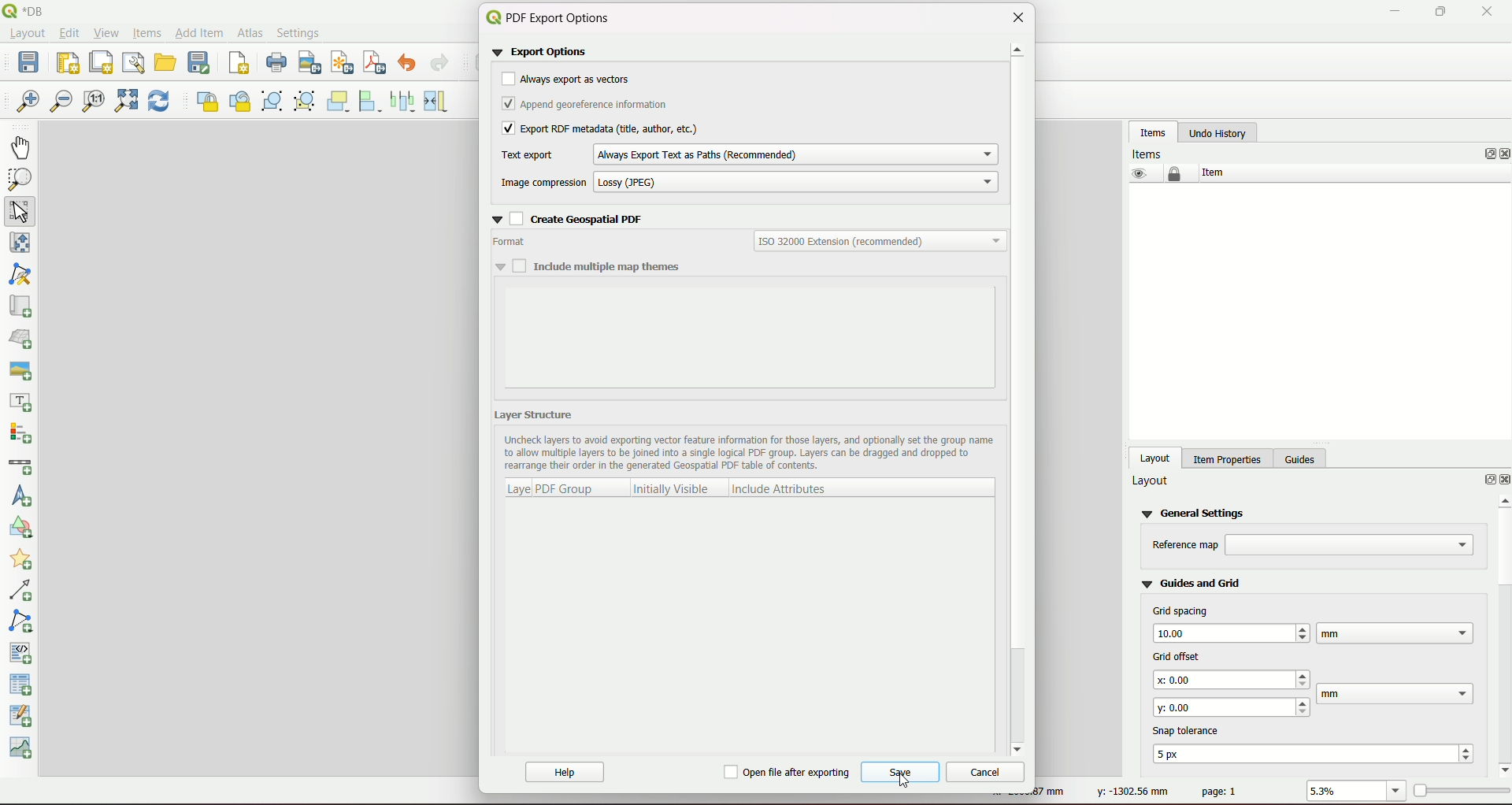 Image resolution: width=1512 pixels, height=805 pixels. What do you see at coordinates (375, 63) in the screenshot?
I see `export as pdf` at bounding box center [375, 63].